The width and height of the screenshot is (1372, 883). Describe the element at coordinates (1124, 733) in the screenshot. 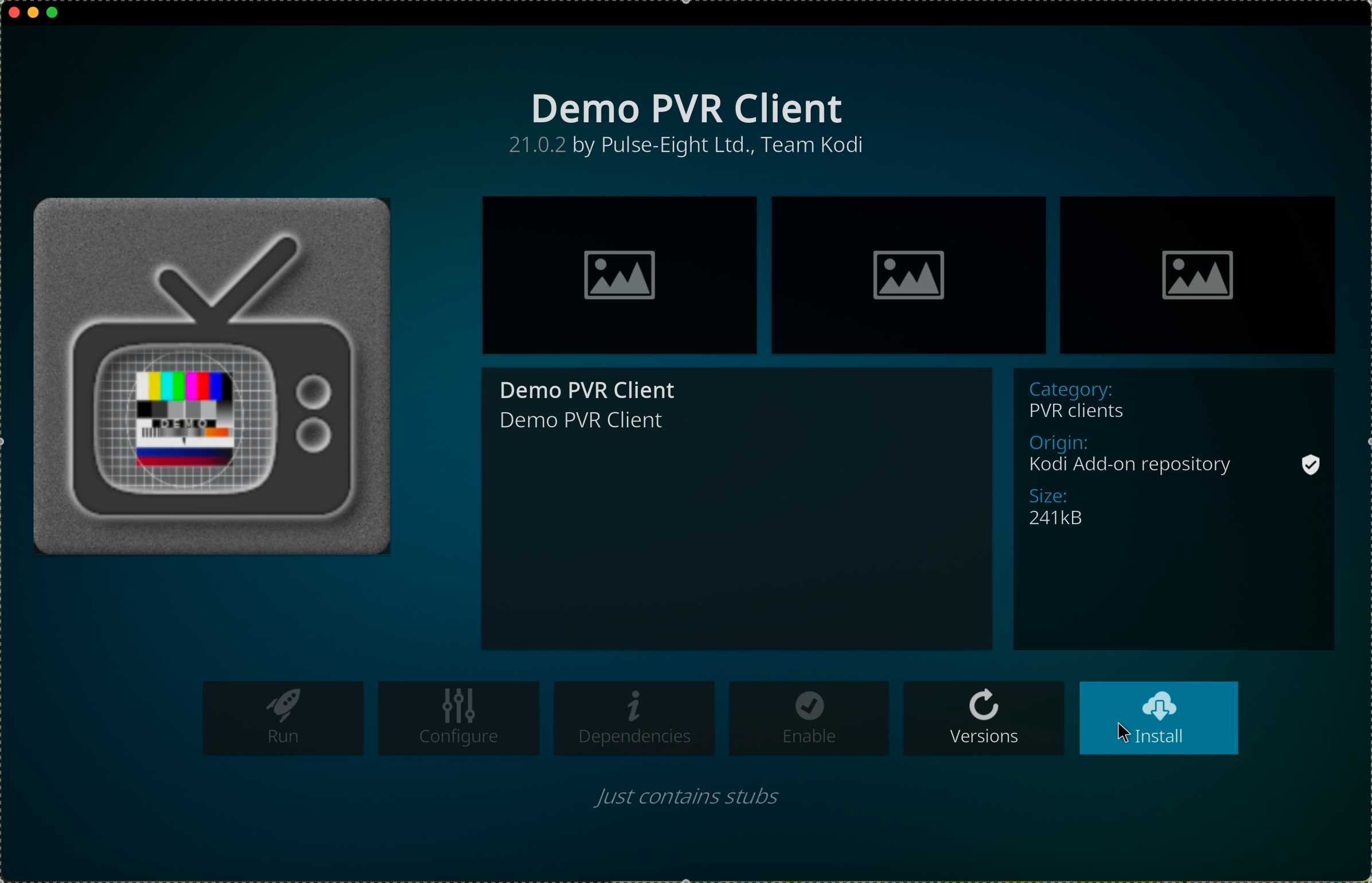

I see `Cursor` at that location.